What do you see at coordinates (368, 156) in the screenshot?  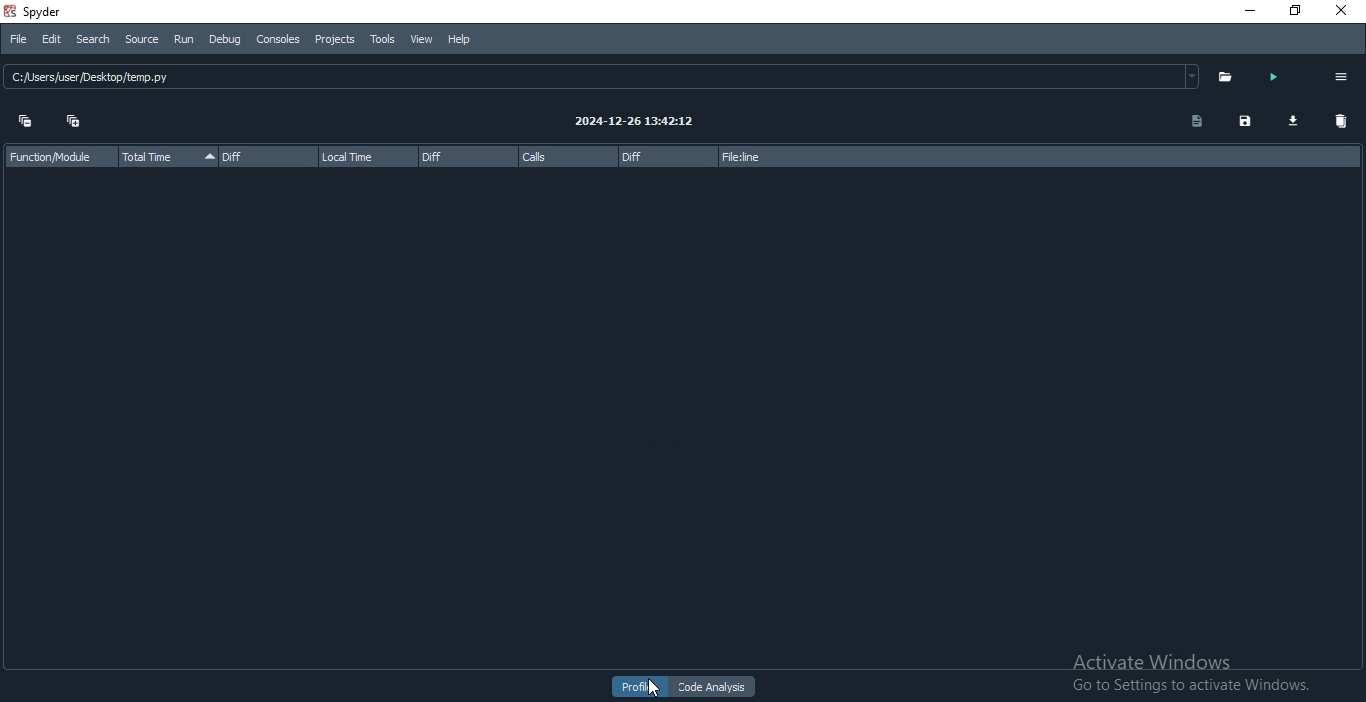 I see `local time` at bounding box center [368, 156].